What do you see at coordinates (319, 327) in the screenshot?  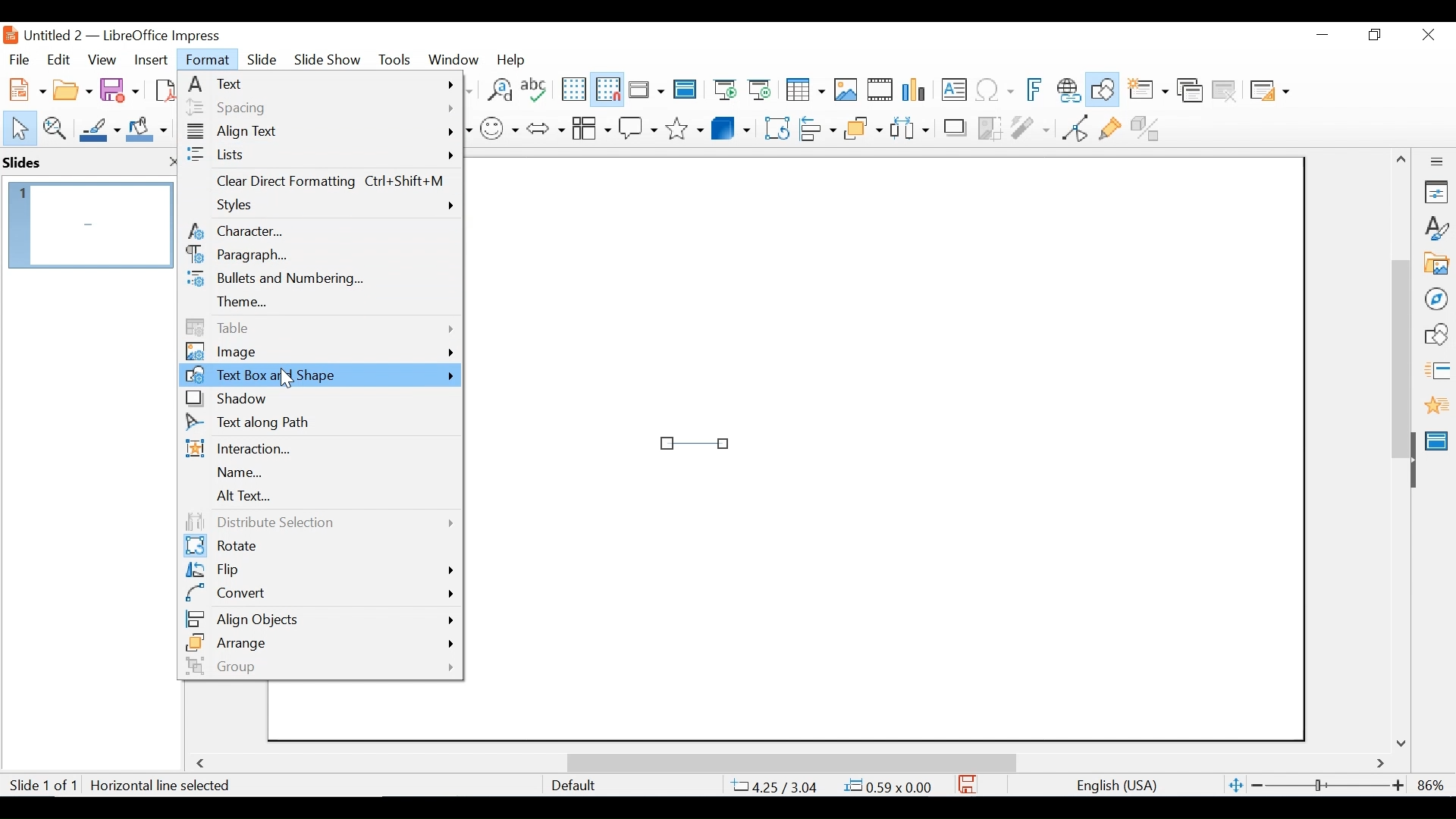 I see `Table` at bounding box center [319, 327].